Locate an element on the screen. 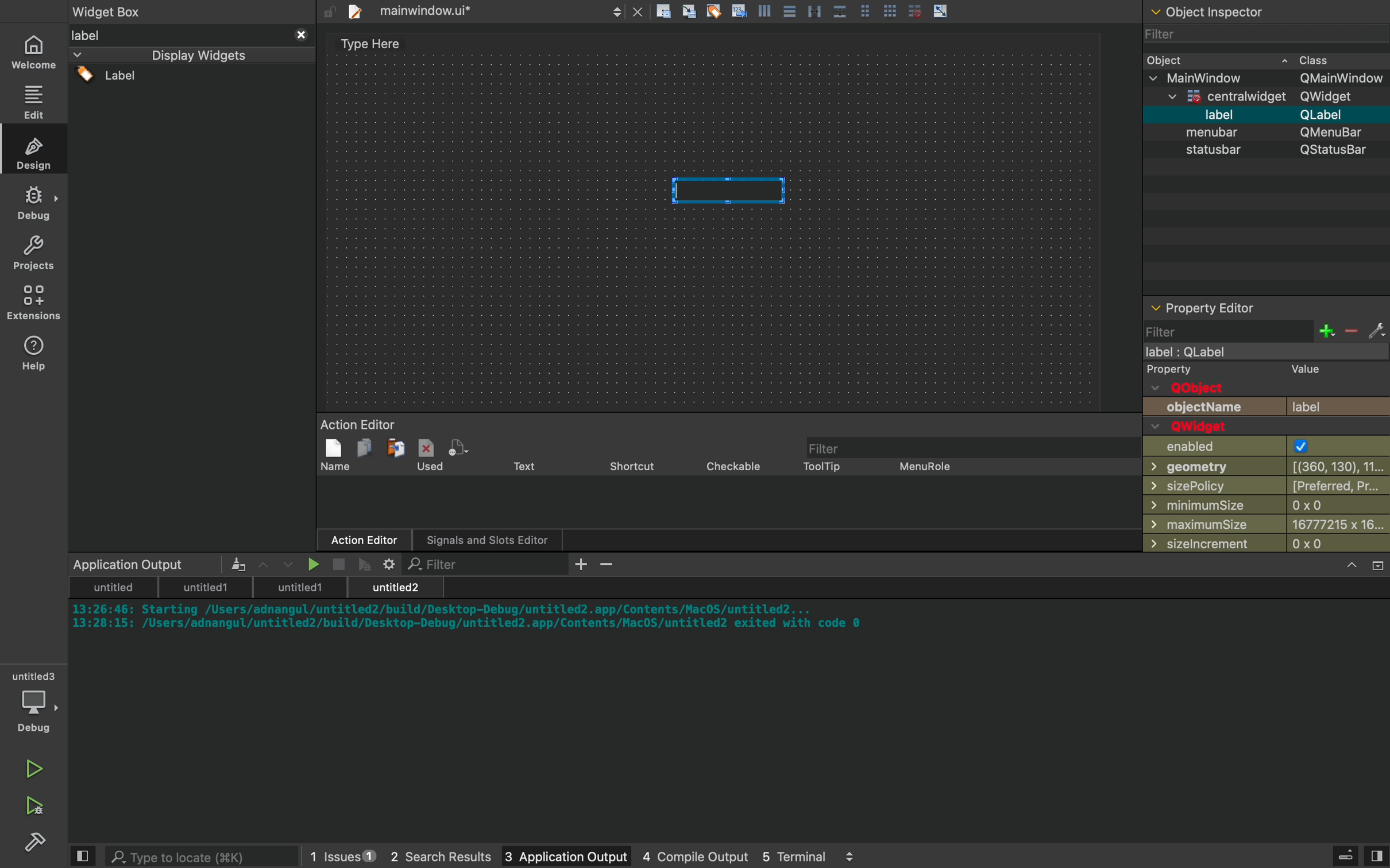  statusbar is located at coordinates (1264, 153).